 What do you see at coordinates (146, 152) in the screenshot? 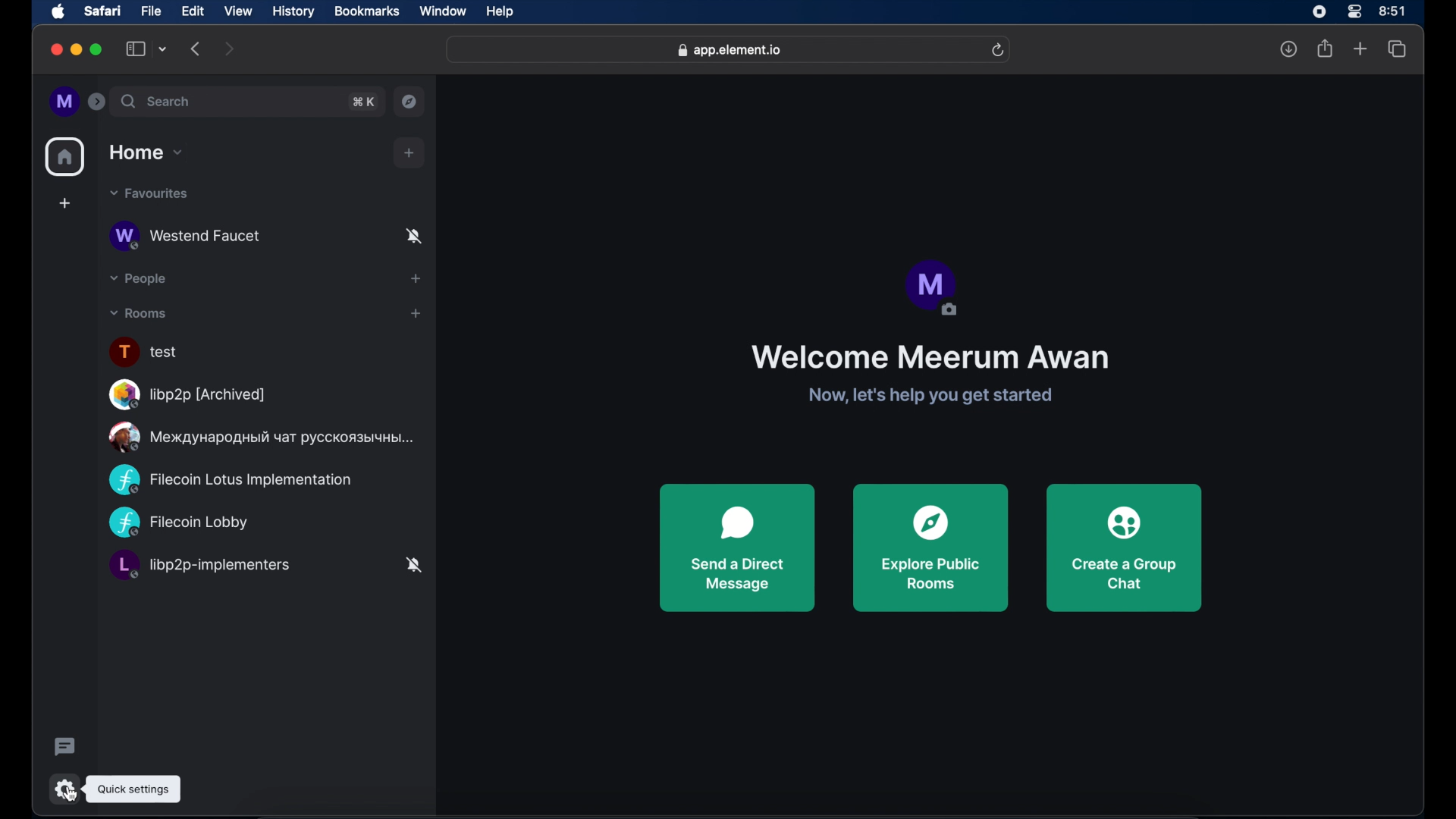
I see `home dropdown` at bounding box center [146, 152].